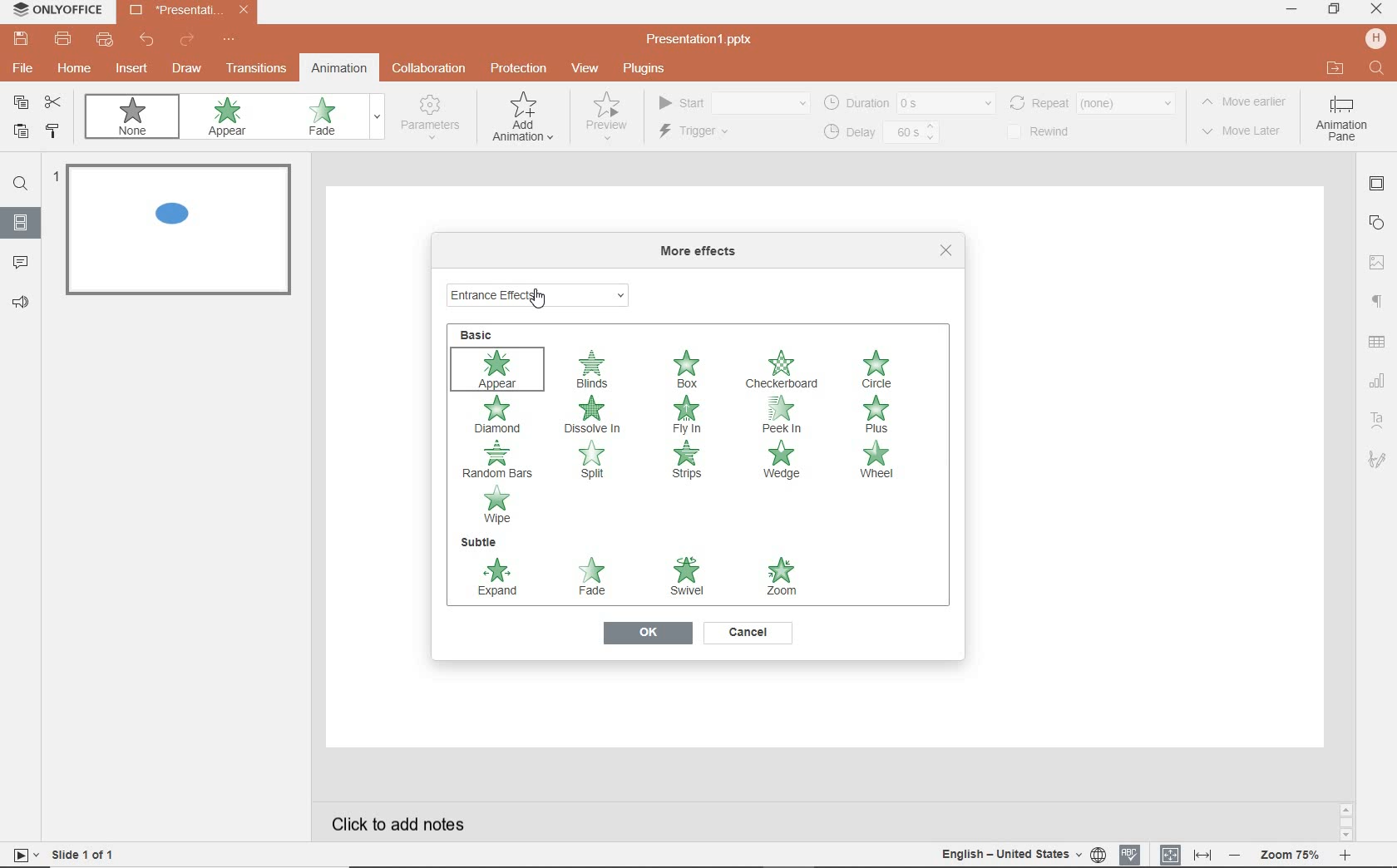  I want to click on chart settings, so click(1377, 382).